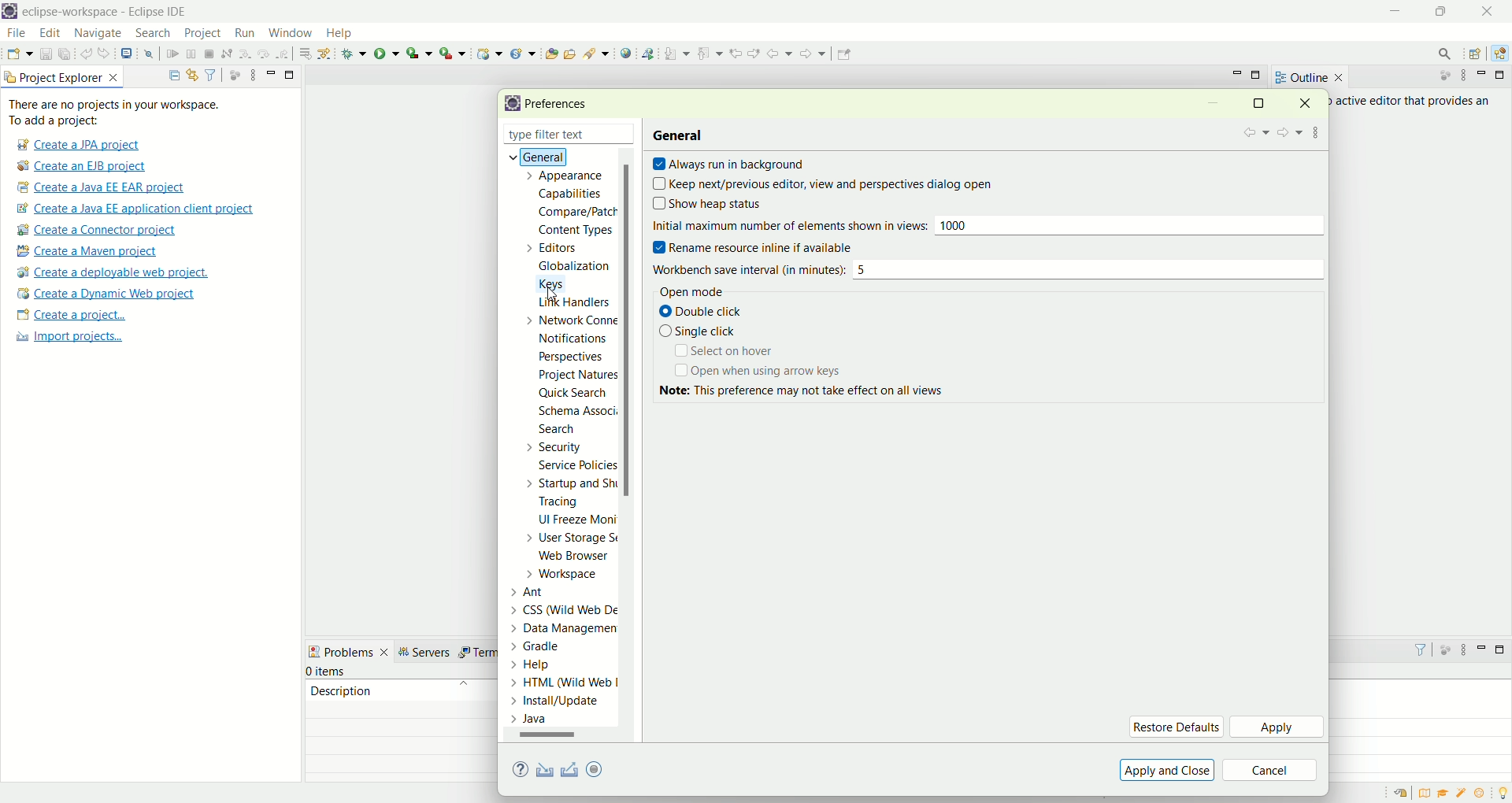  Describe the element at coordinates (569, 52) in the screenshot. I see `open task` at that location.